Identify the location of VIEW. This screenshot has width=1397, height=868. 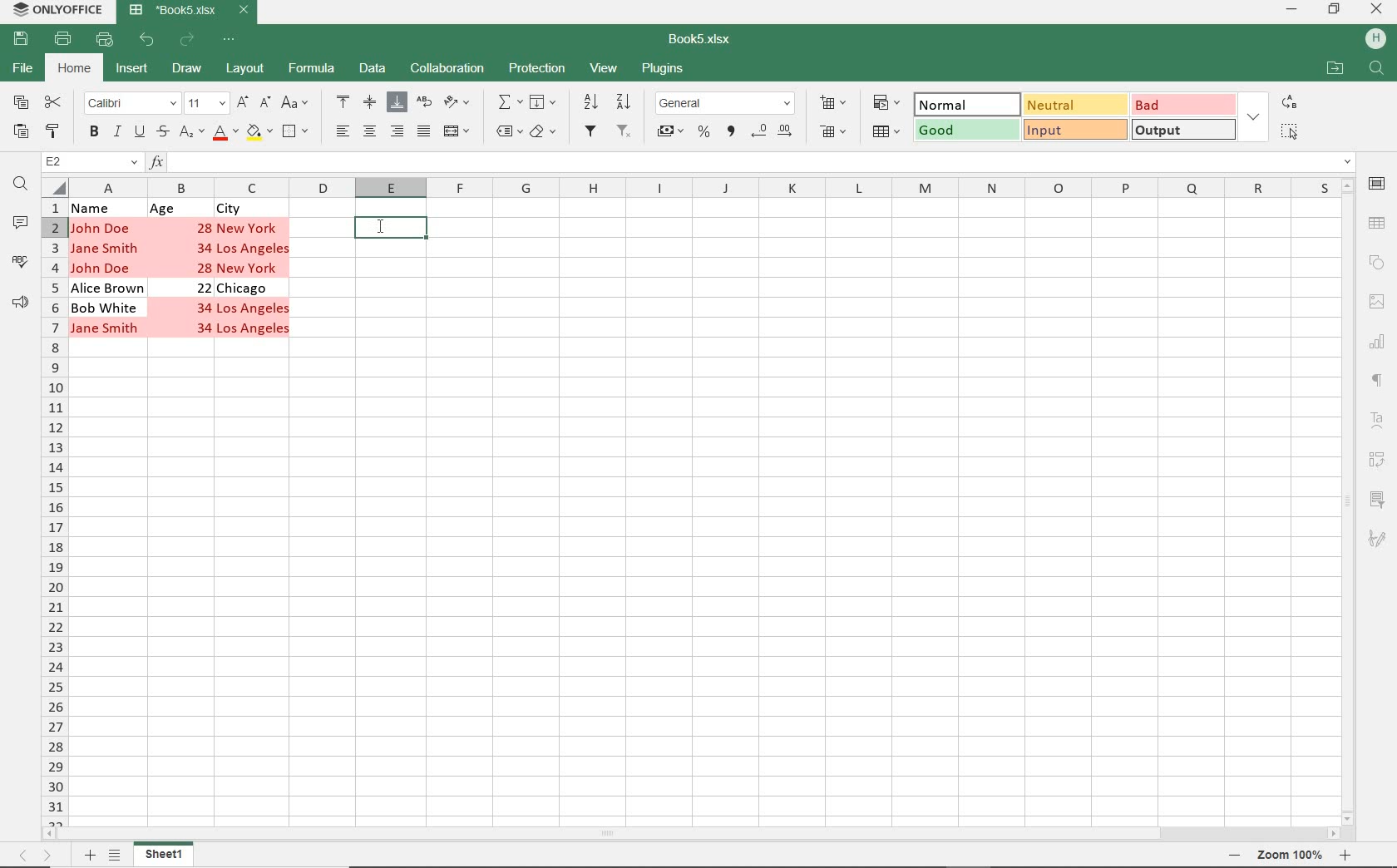
(605, 67).